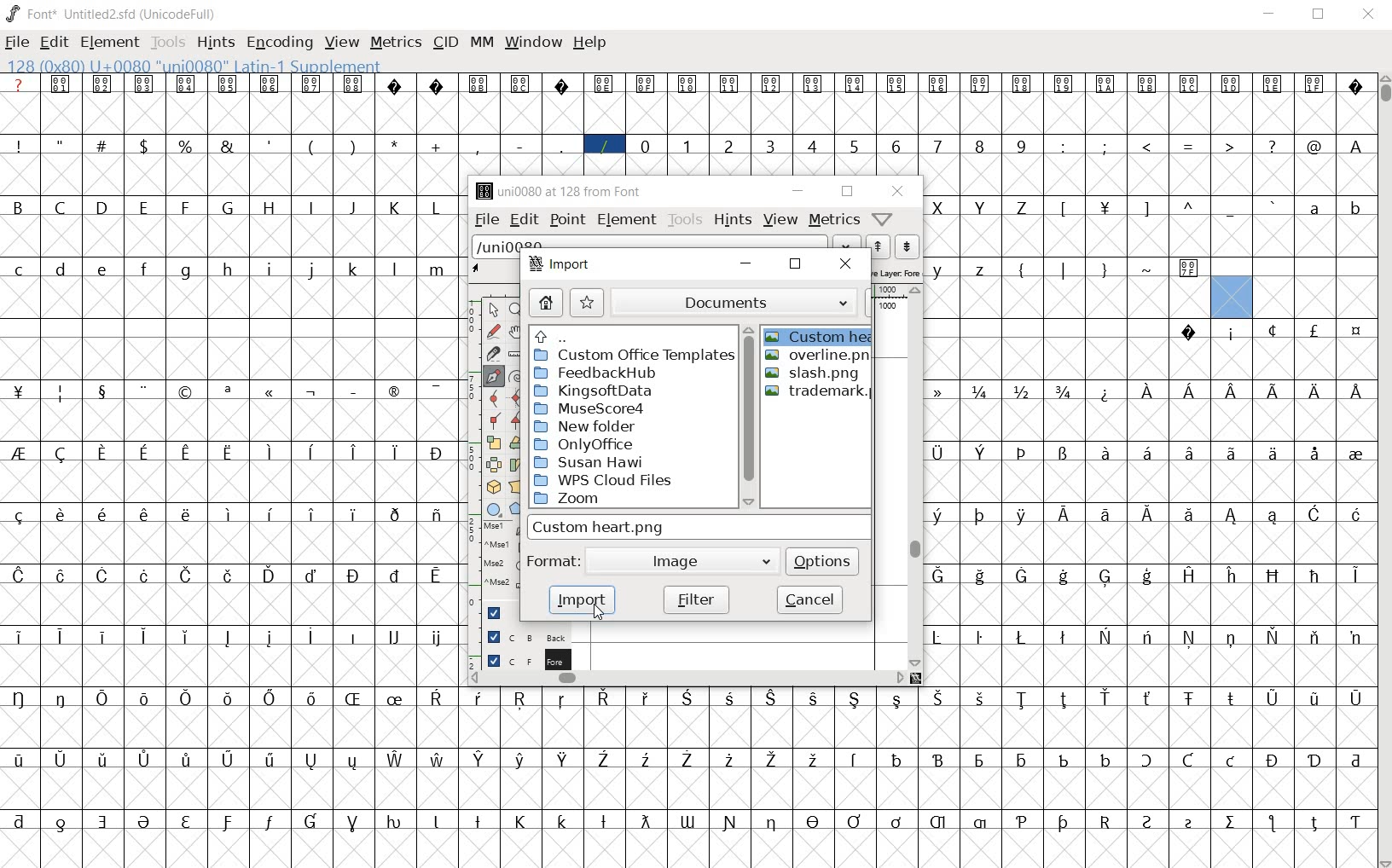 The image size is (1392, 868). I want to click on glyph, so click(519, 822).